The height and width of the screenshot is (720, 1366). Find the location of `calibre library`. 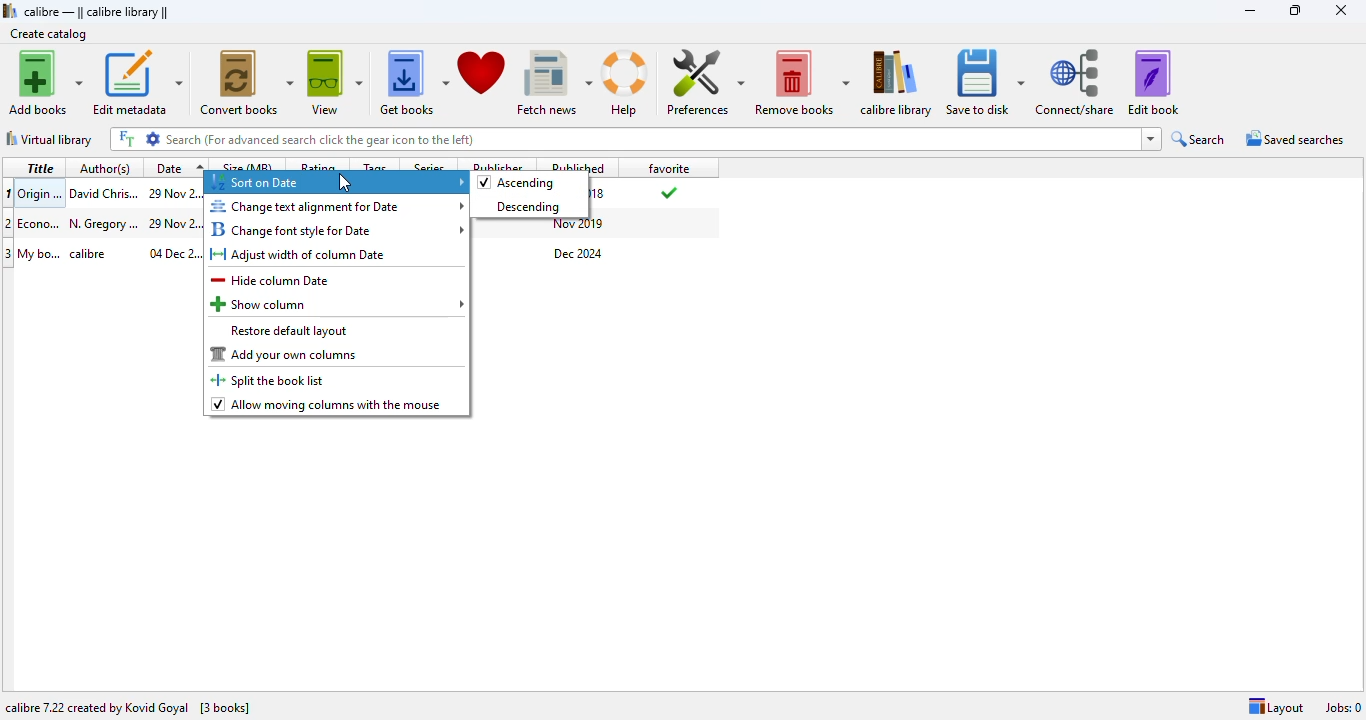

calibre library is located at coordinates (896, 82).